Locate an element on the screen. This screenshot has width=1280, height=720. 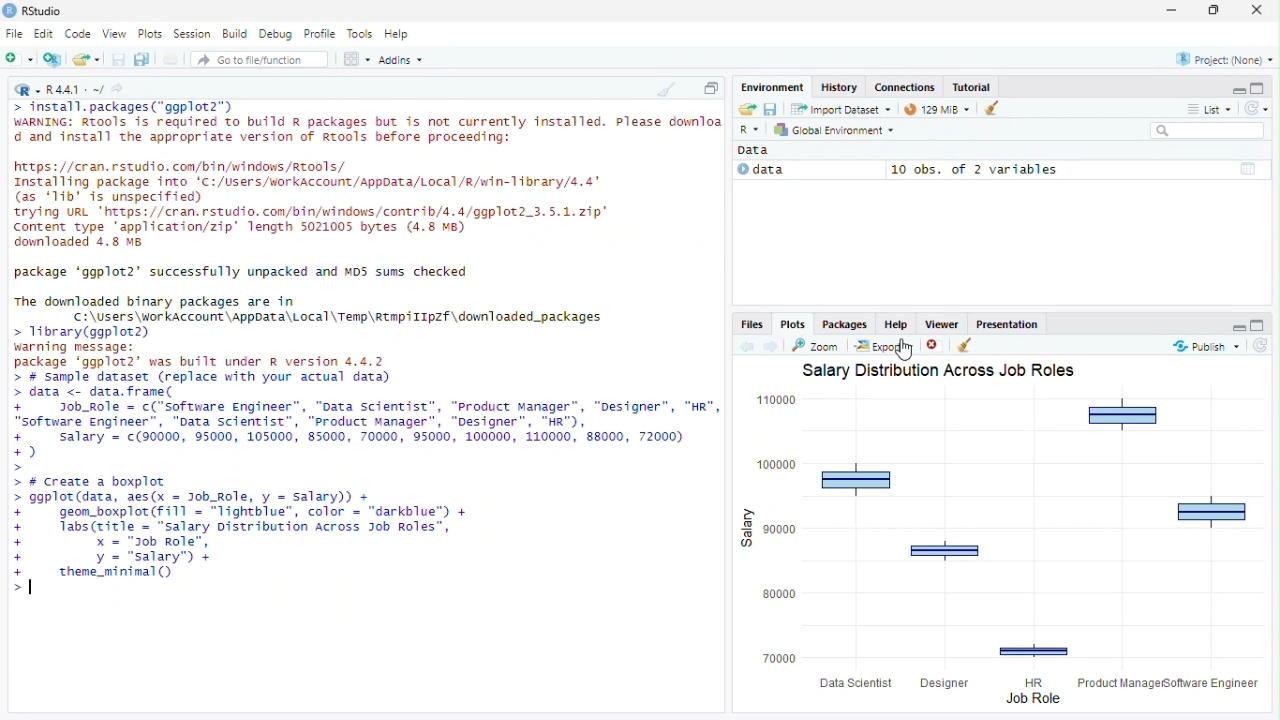
Export is located at coordinates (885, 346).